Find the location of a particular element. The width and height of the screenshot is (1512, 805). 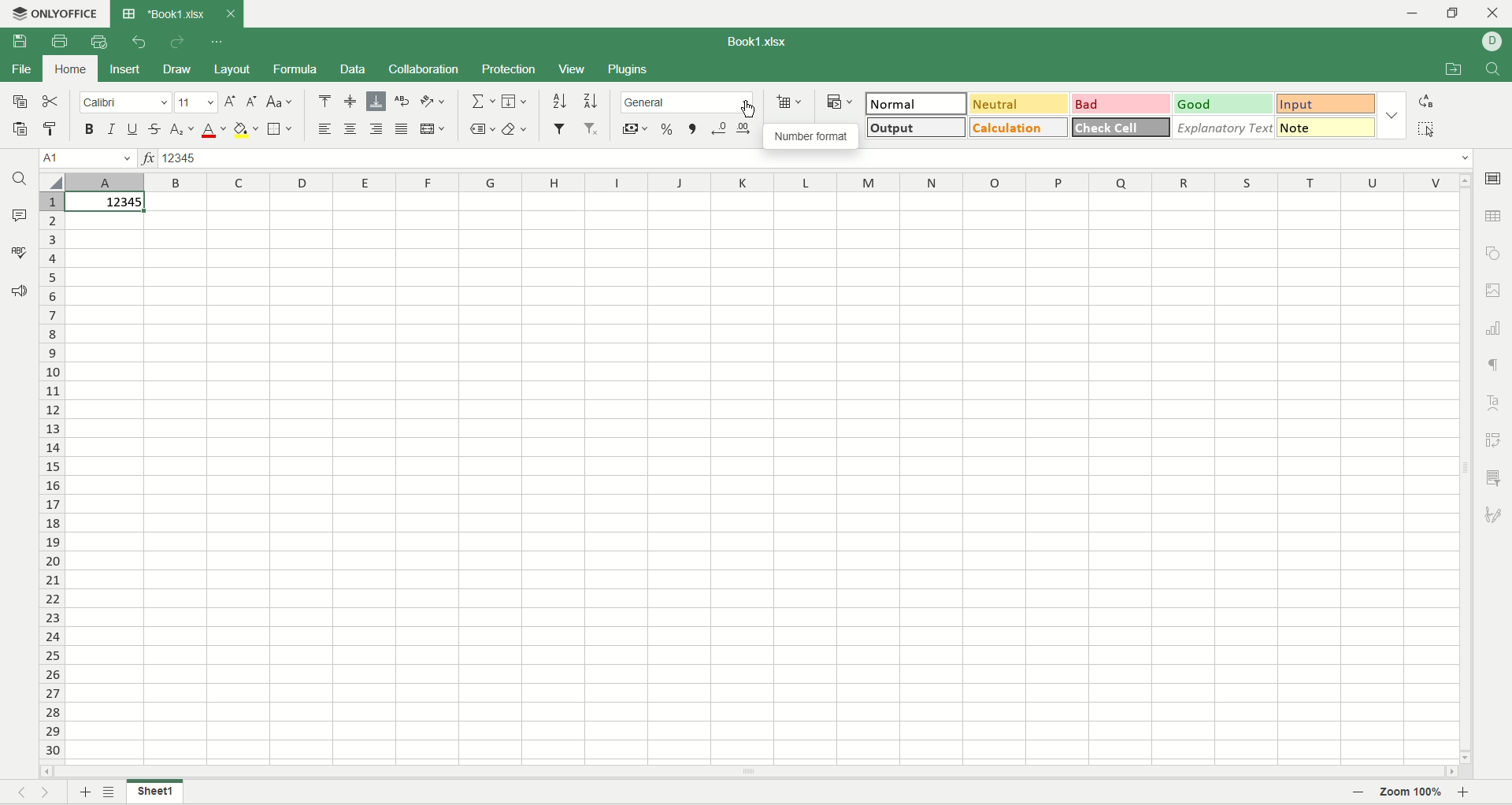

copy is located at coordinates (20, 101).